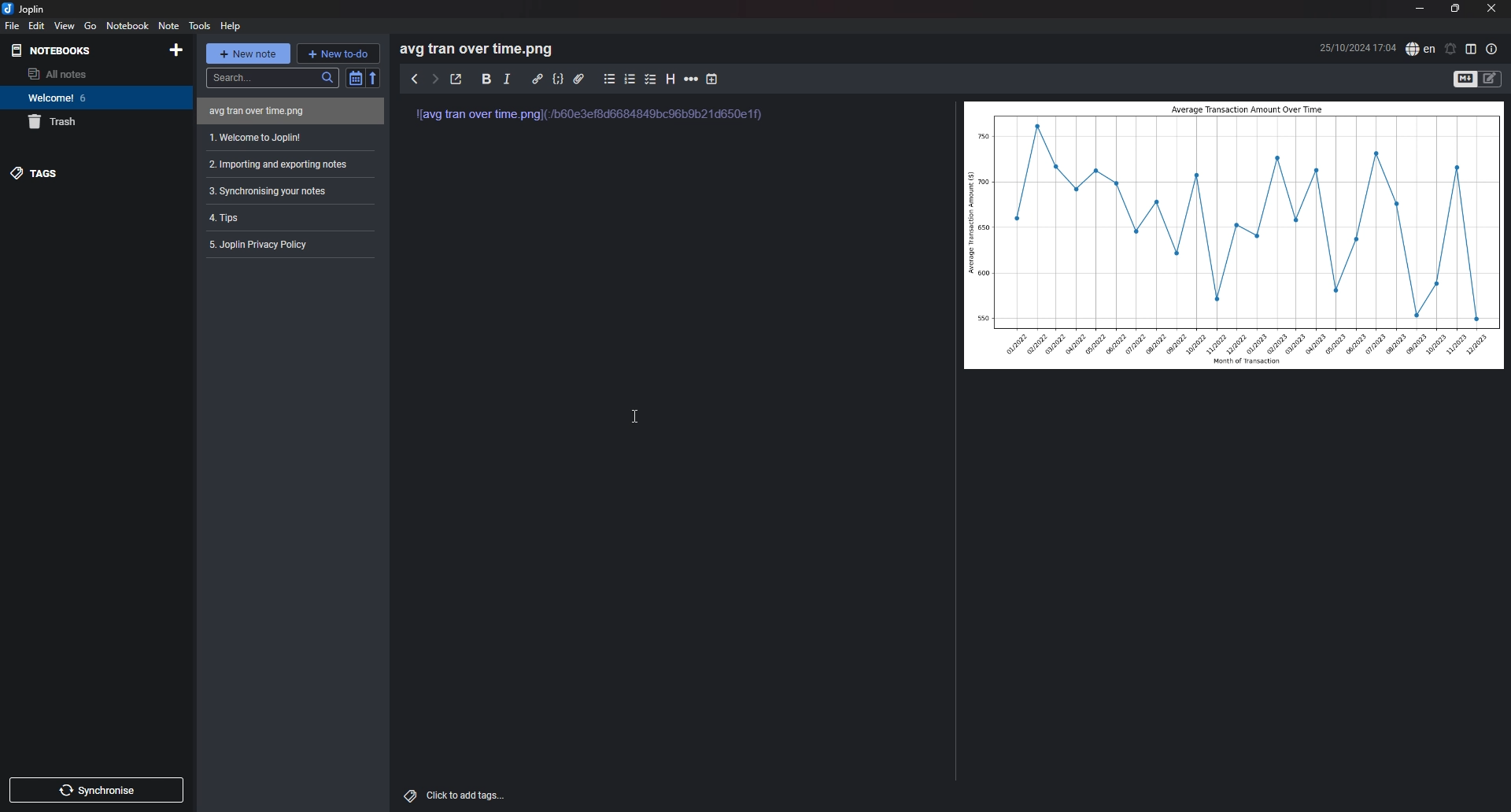  What do you see at coordinates (1472, 50) in the screenshot?
I see `toggle editor layout` at bounding box center [1472, 50].